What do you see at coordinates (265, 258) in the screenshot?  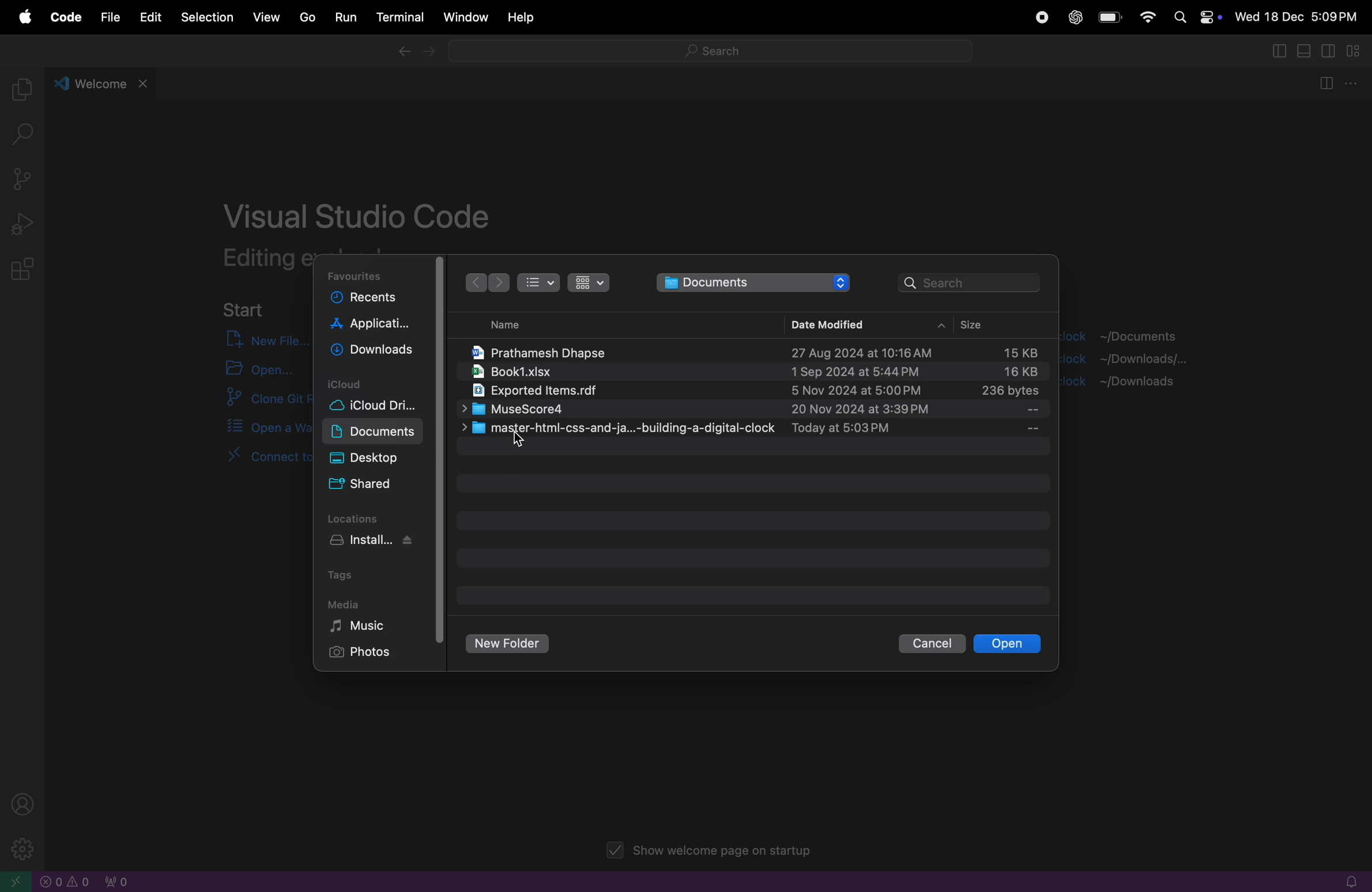 I see `editing evolved` at bounding box center [265, 258].